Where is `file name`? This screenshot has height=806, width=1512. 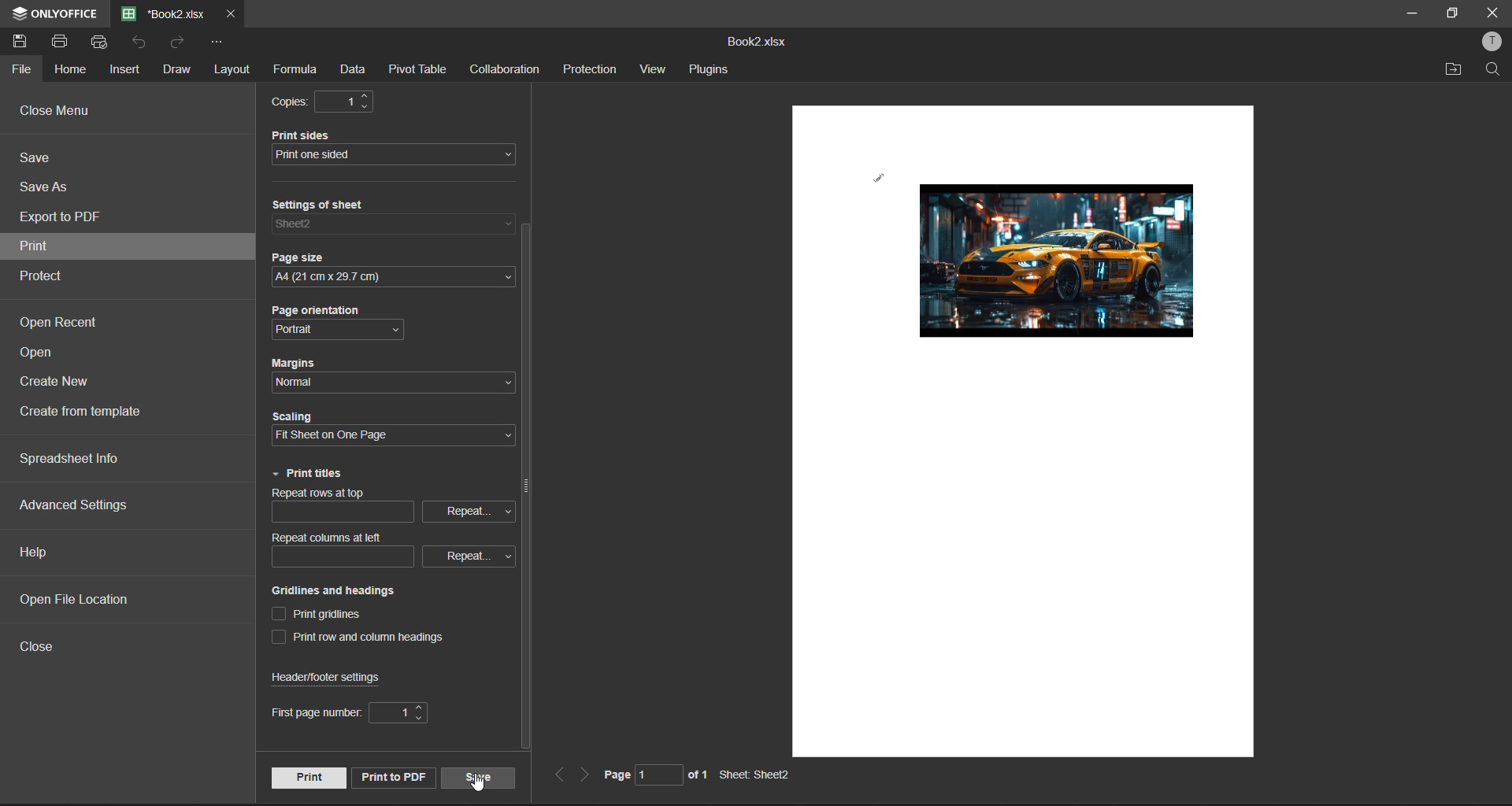
file name is located at coordinates (758, 43).